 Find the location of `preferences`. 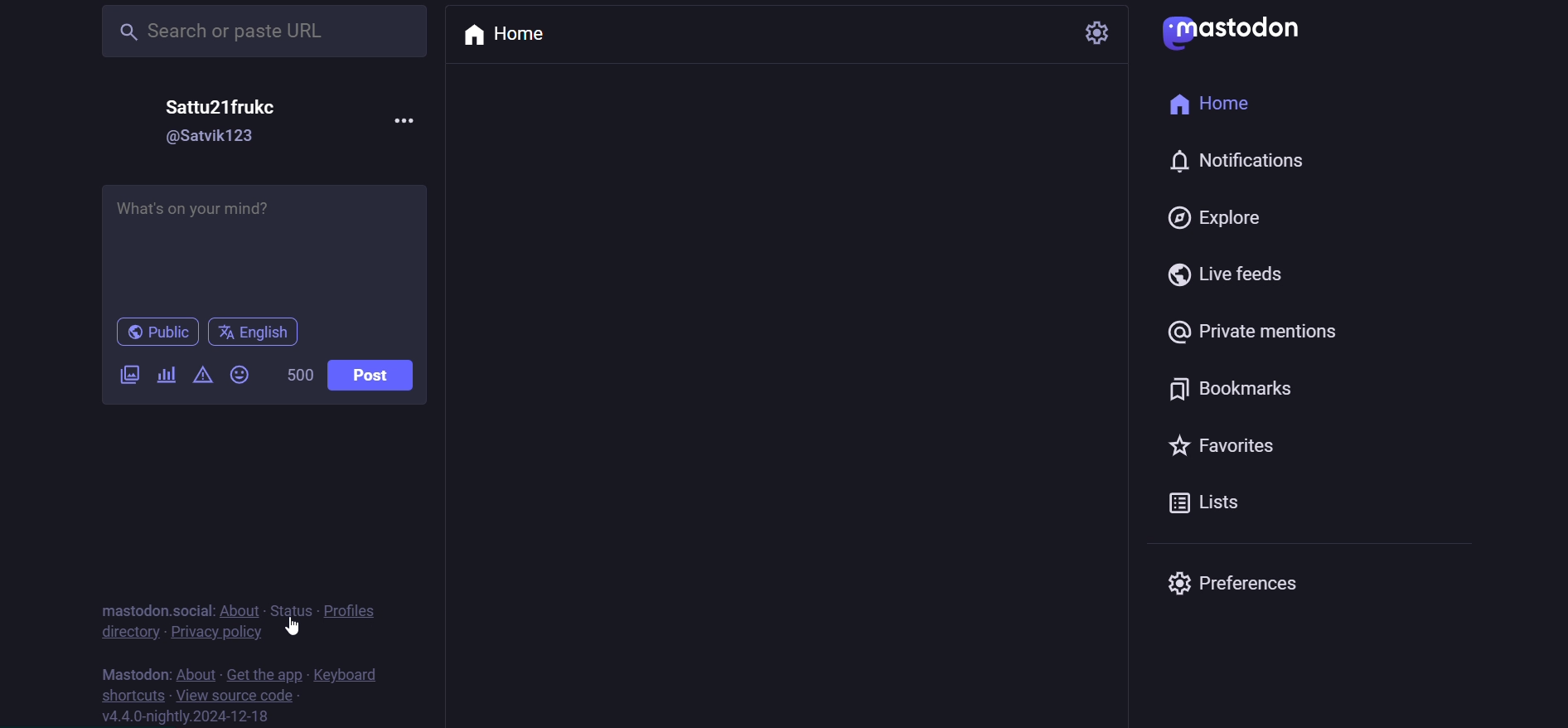

preferences is located at coordinates (1240, 583).